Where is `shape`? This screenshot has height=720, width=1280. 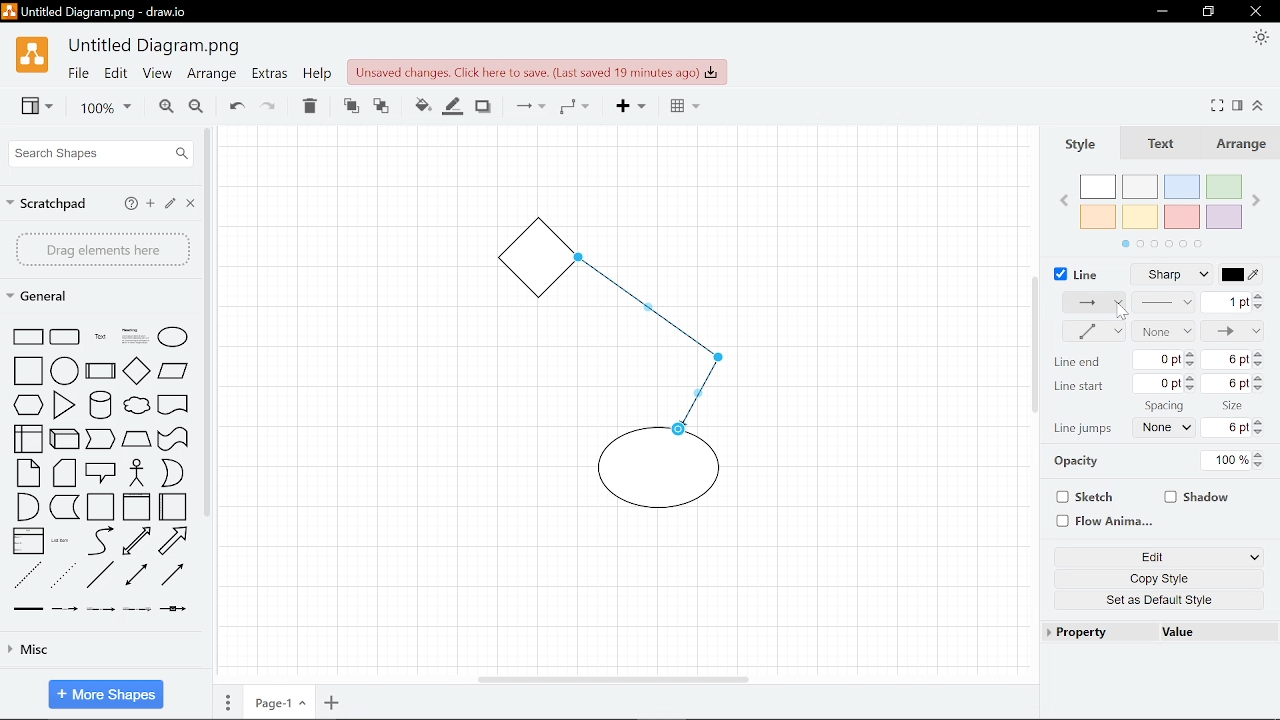 shape is located at coordinates (140, 474).